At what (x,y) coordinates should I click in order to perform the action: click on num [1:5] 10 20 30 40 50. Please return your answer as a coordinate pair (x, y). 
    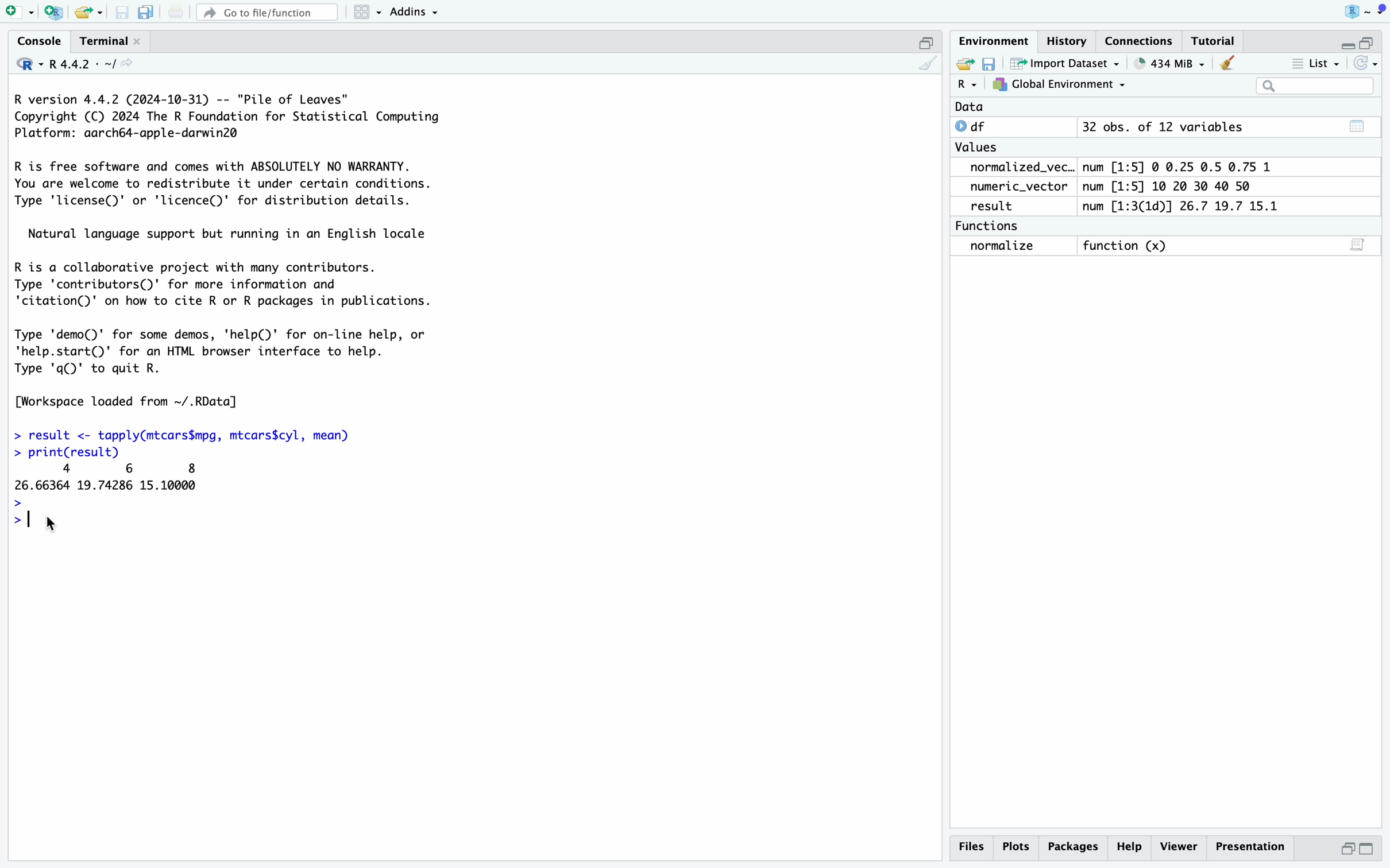
    Looking at the image, I should click on (1169, 186).